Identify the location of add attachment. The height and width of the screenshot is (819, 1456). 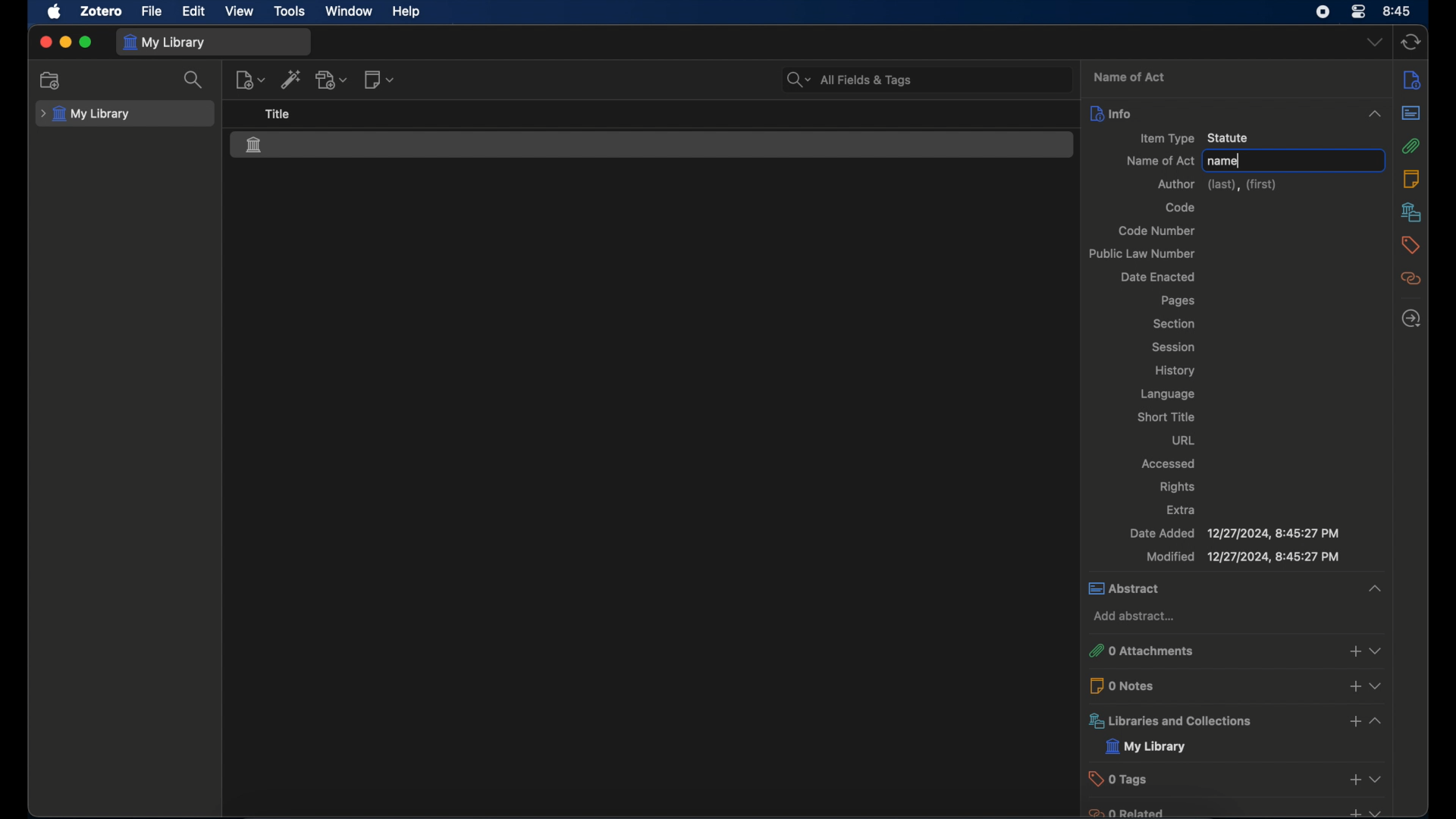
(334, 81).